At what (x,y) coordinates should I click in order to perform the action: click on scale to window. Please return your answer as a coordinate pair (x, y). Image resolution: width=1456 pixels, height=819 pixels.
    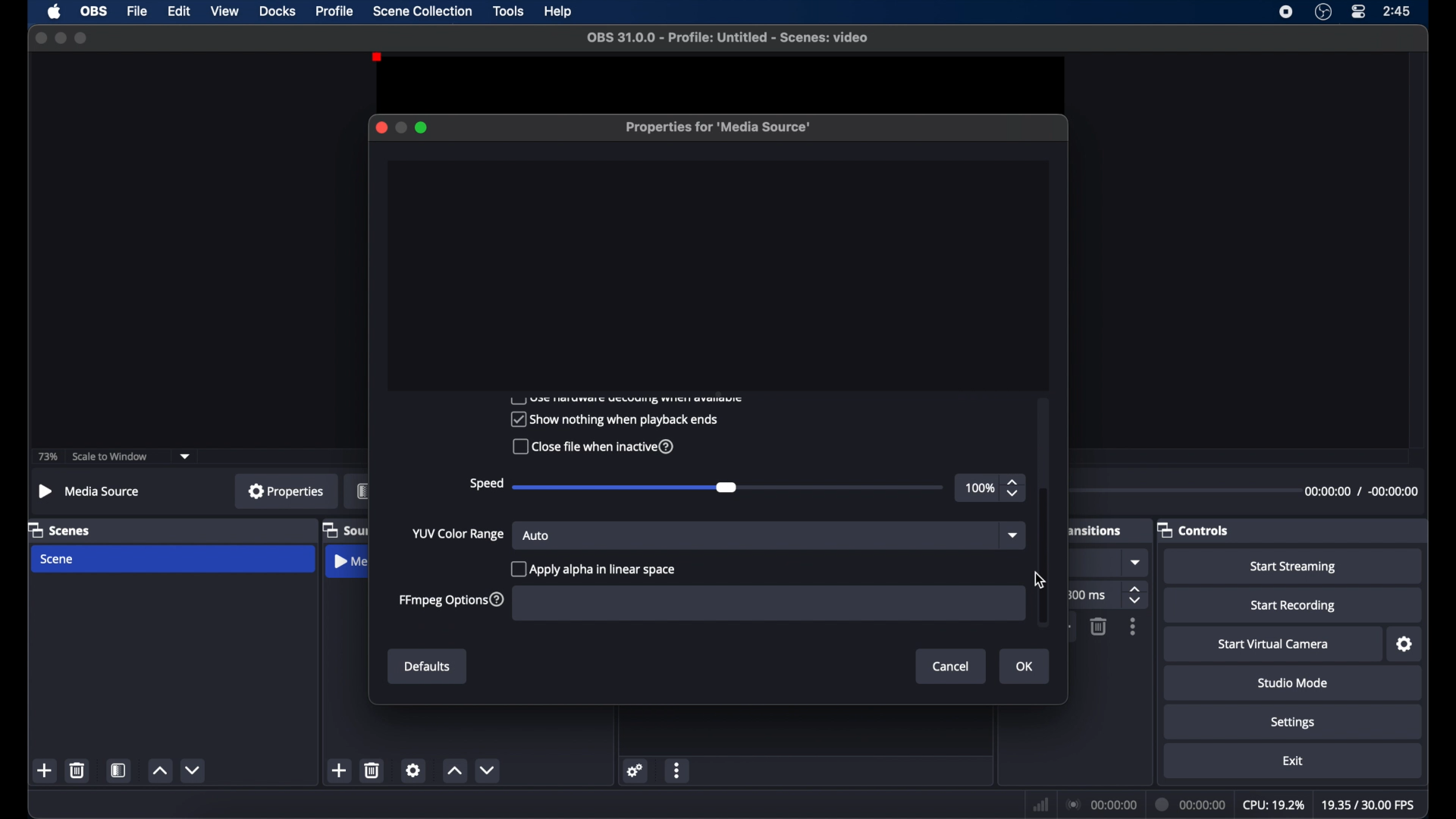
    Looking at the image, I should click on (112, 457).